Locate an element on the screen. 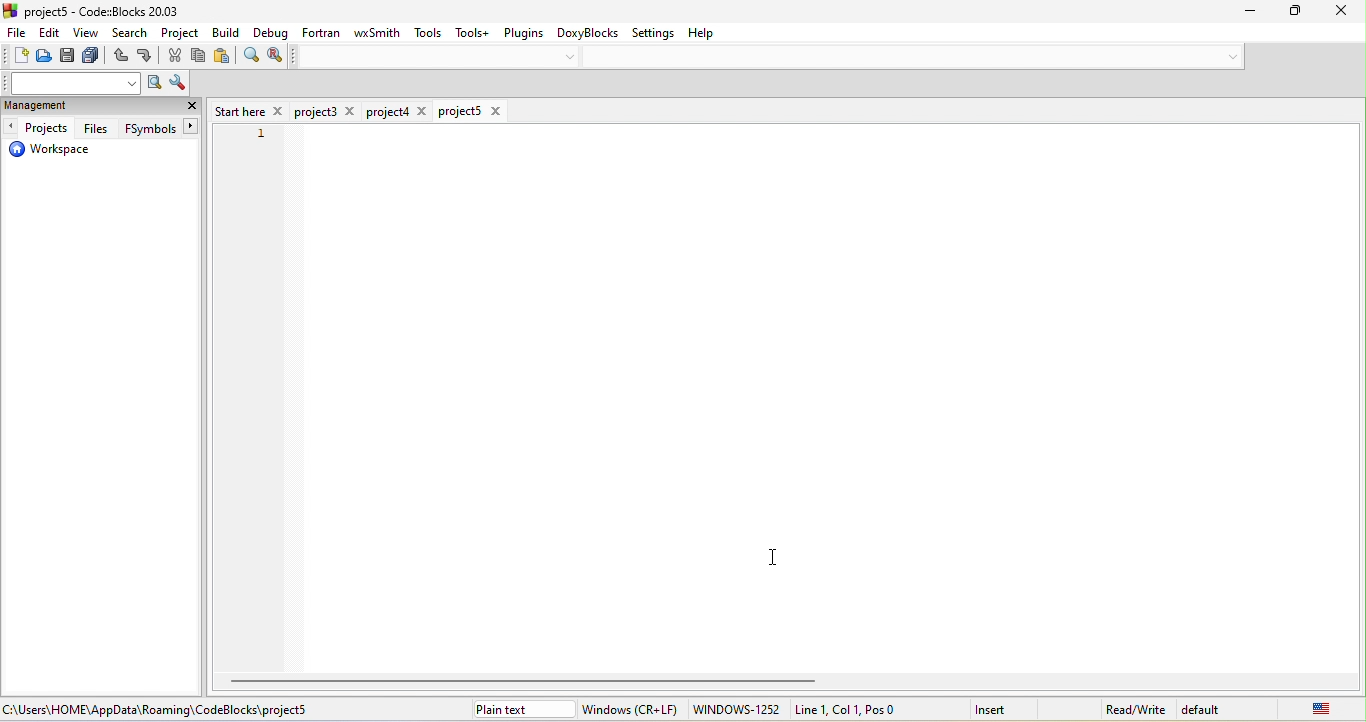 This screenshot has width=1366, height=722. tools is located at coordinates (430, 33).